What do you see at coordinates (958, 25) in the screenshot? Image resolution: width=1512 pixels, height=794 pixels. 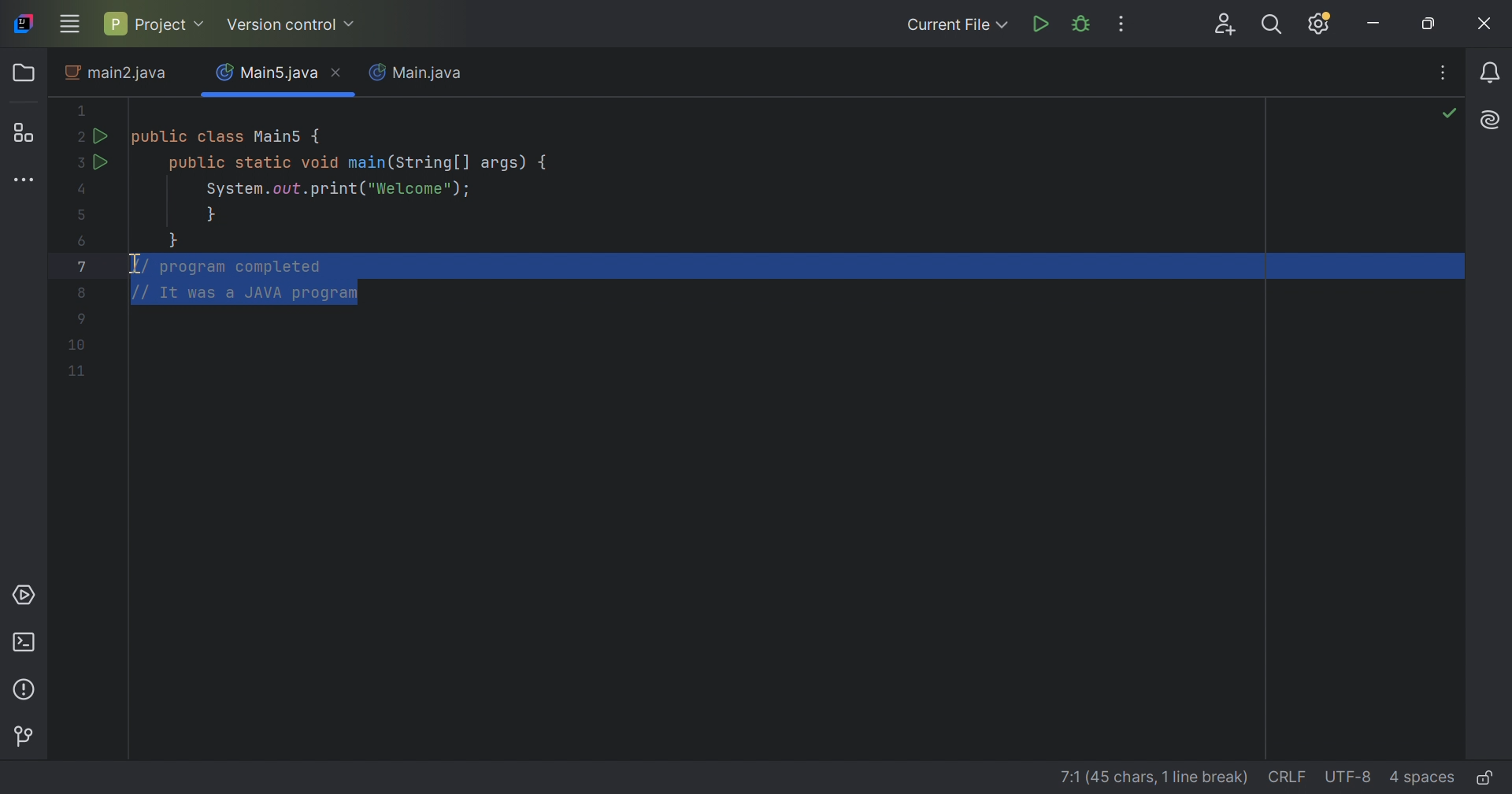 I see `Current File` at bounding box center [958, 25].